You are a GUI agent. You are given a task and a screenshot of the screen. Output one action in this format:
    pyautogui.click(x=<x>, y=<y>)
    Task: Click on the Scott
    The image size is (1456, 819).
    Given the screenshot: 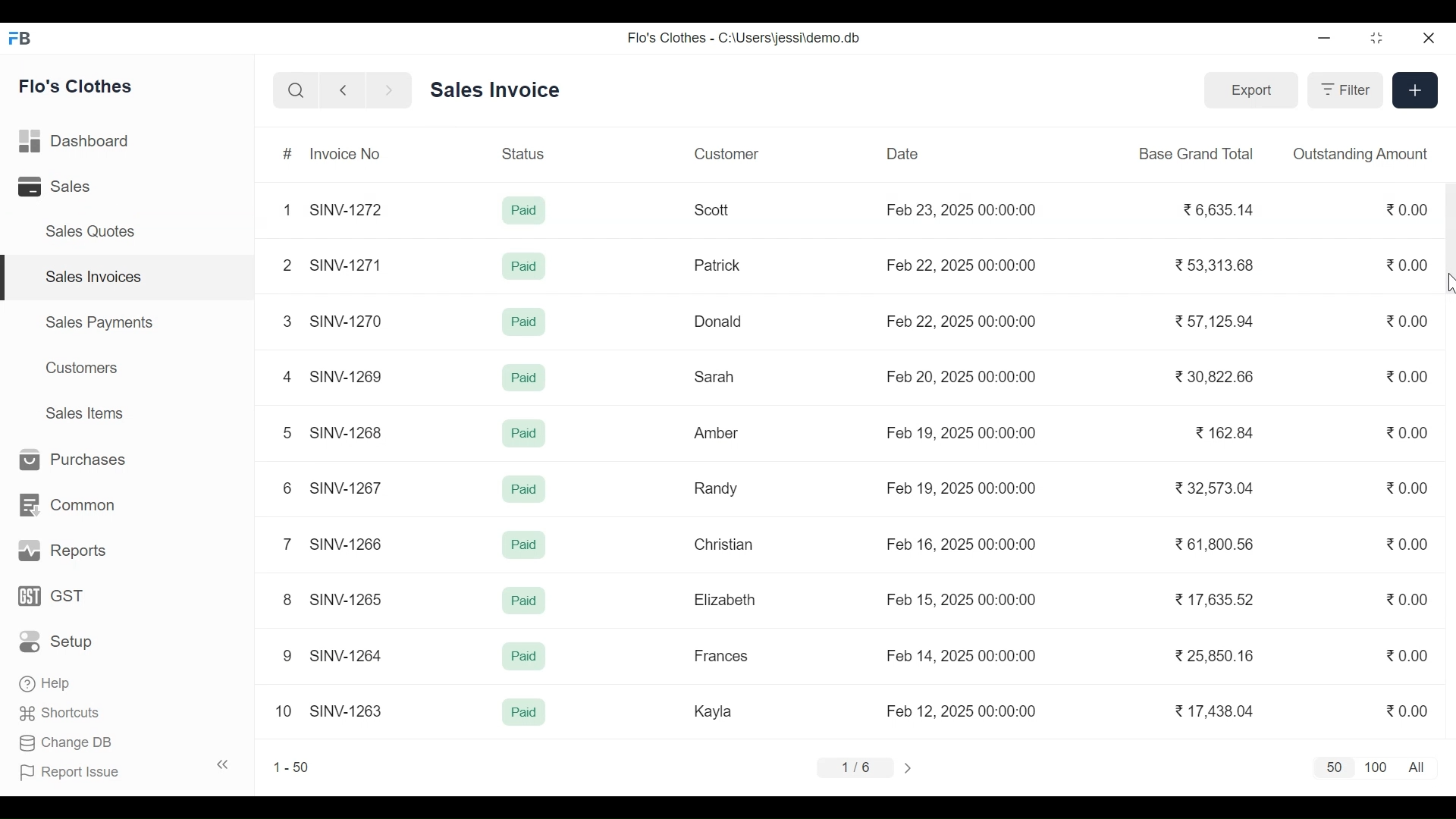 What is the action you would take?
    pyautogui.click(x=714, y=210)
    